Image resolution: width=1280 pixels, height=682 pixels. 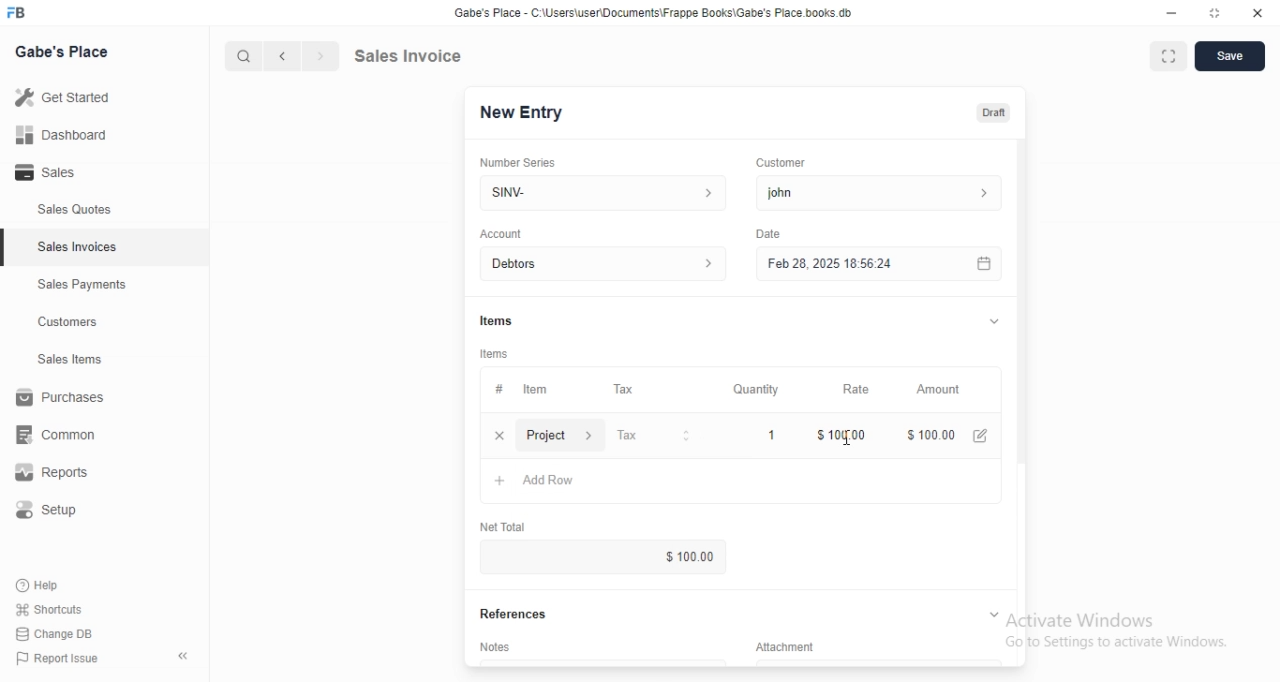 I want to click on Reports, so click(x=65, y=475).